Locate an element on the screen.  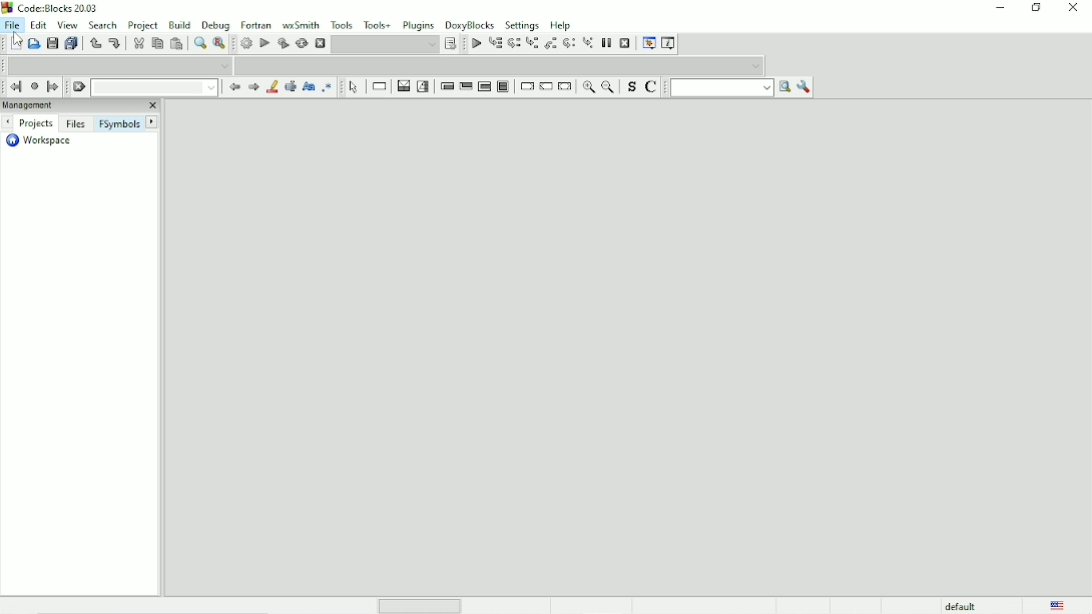
Stop debugger is located at coordinates (625, 43).